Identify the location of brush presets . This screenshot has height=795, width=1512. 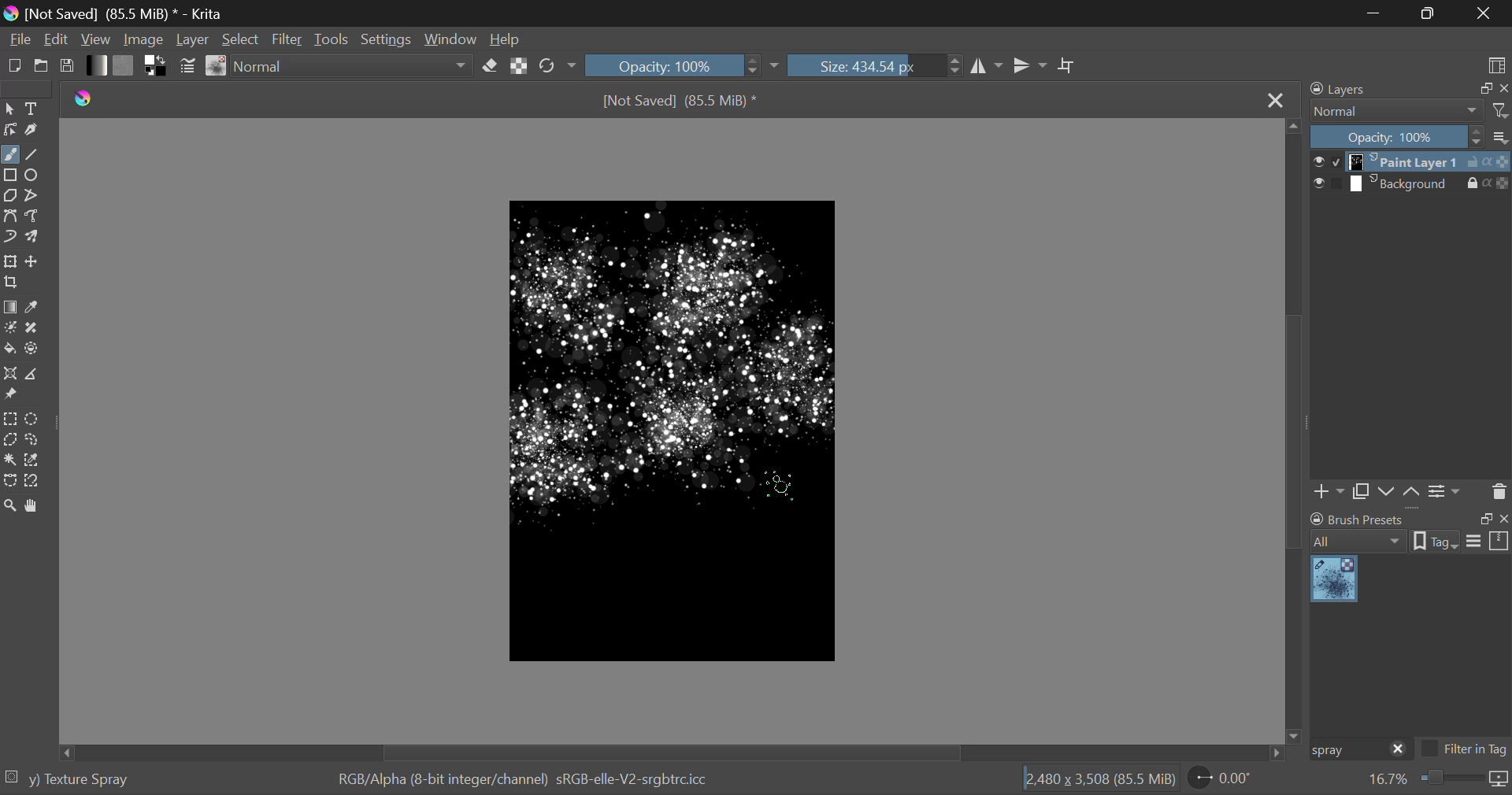
(1358, 519).